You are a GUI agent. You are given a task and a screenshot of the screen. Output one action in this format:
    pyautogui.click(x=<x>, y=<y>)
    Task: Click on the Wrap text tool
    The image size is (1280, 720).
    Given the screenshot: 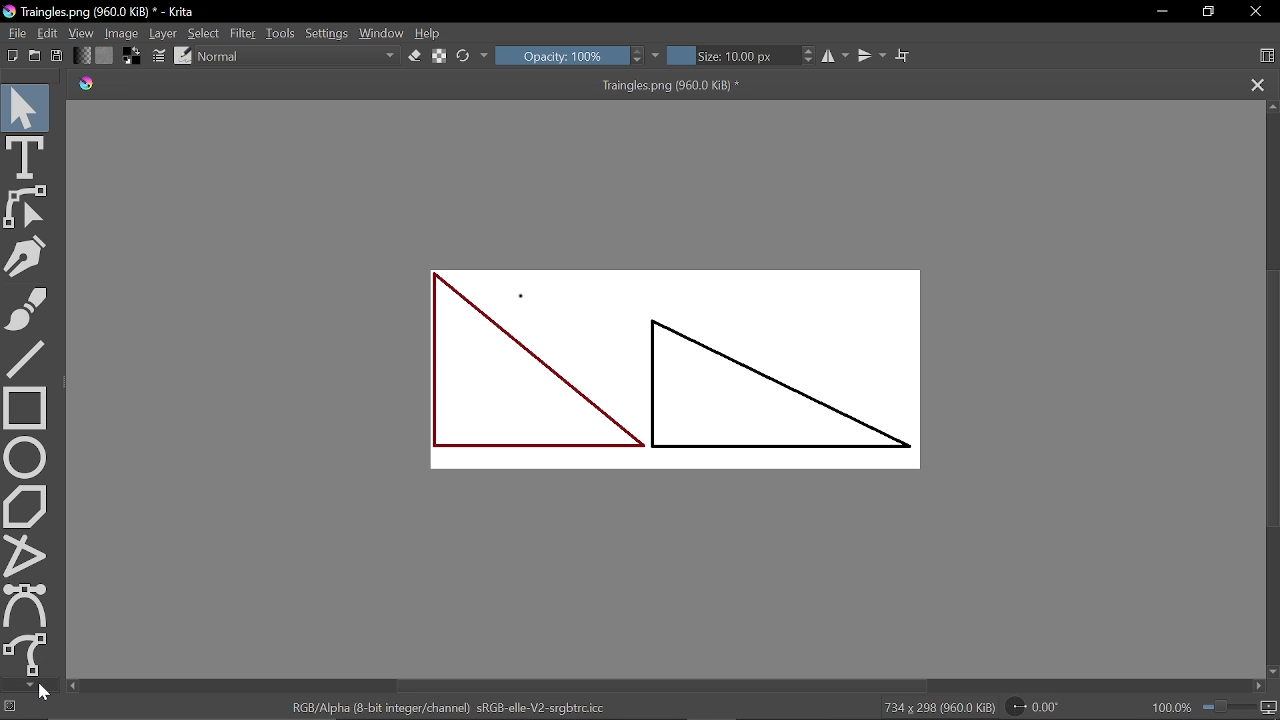 What is the action you would take?
    pyautogui.click(x=904, y=56)
    